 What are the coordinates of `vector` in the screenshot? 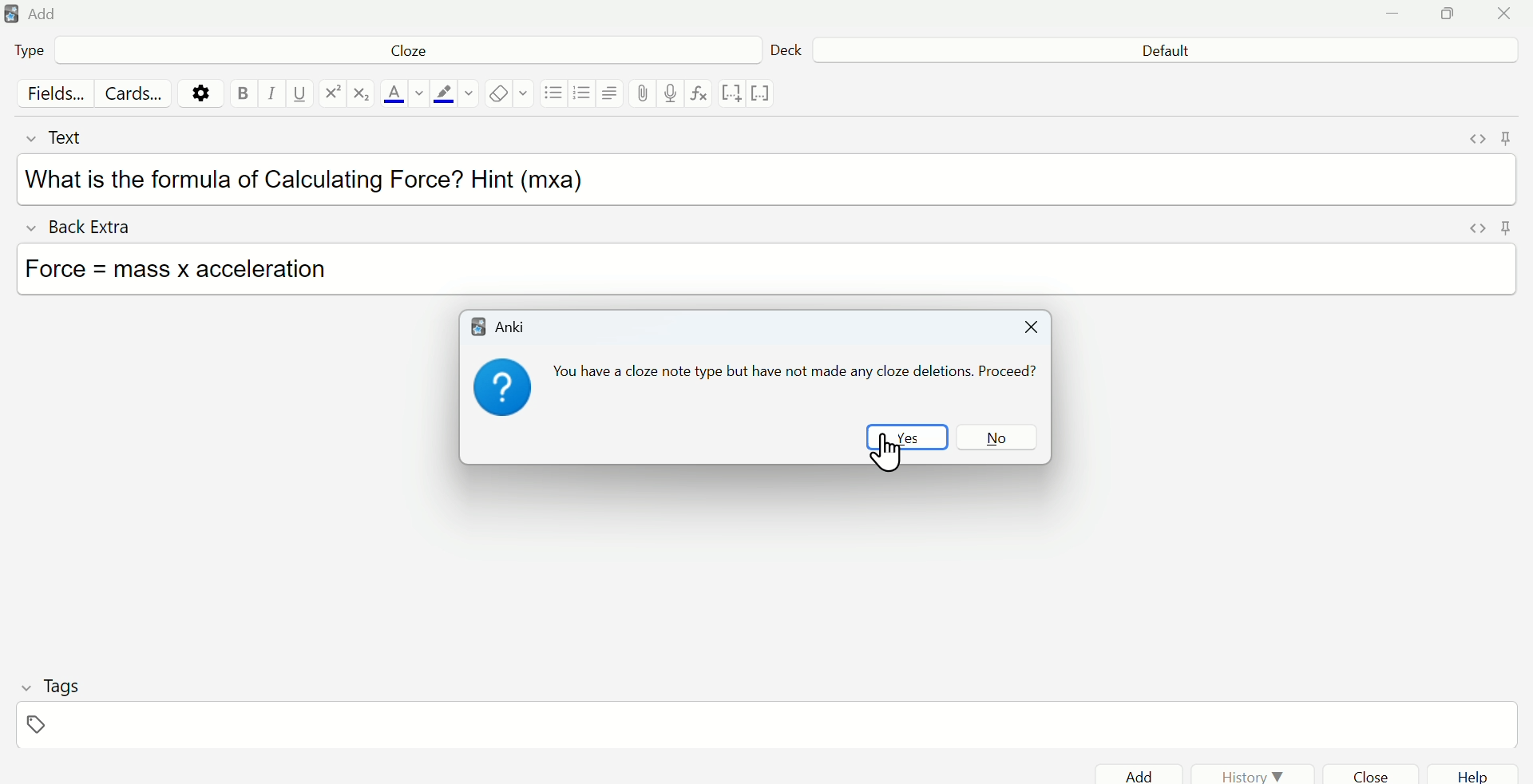 It's located at (763, 94).